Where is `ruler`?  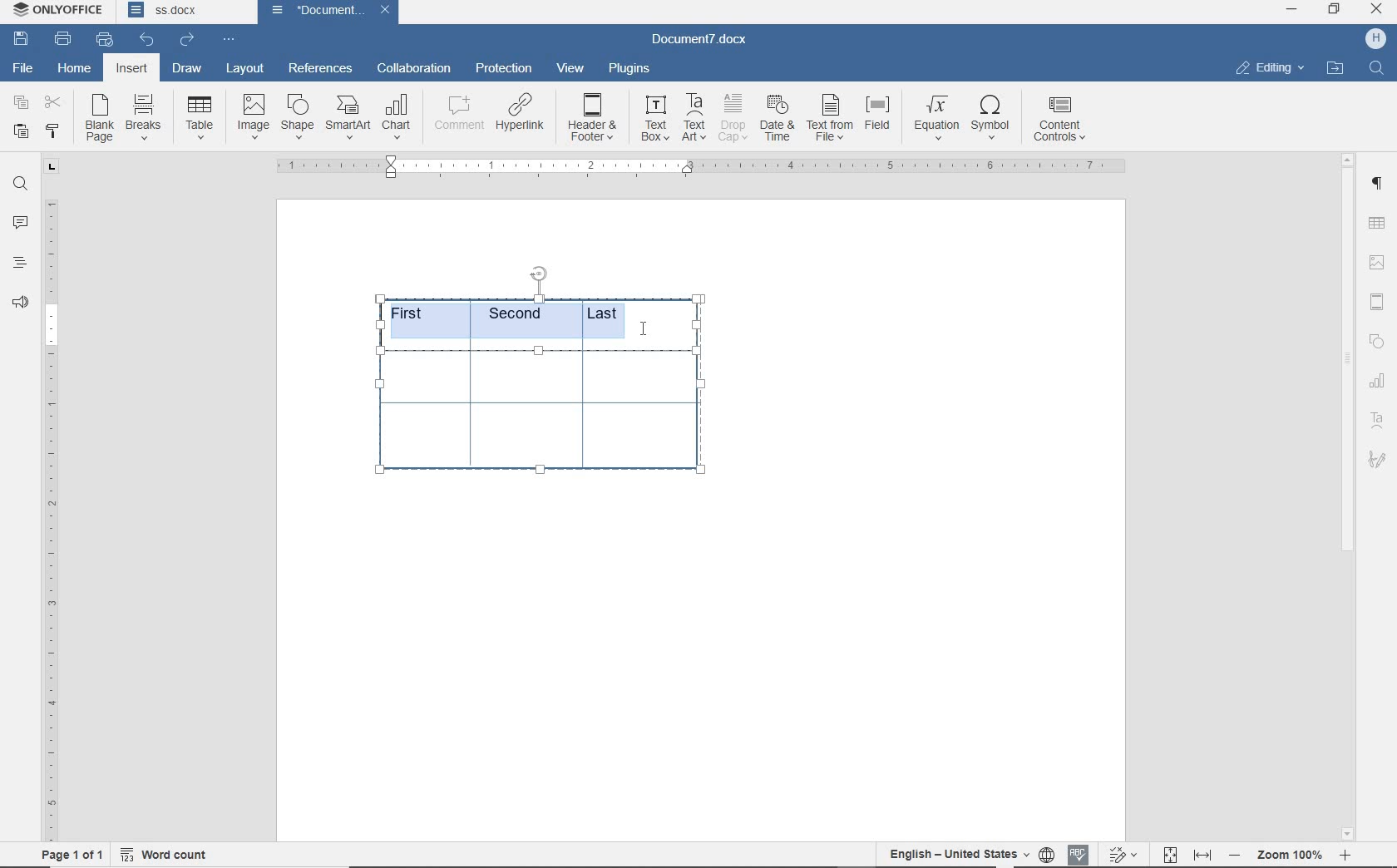 ruler is located at coordinates (51, 520).